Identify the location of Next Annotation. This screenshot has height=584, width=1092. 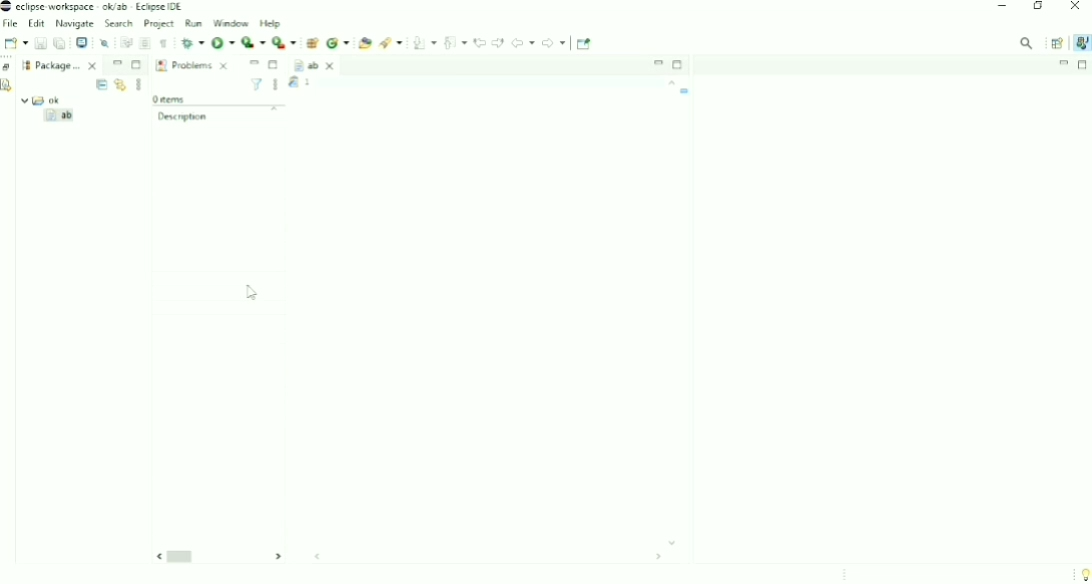
(424, 43).